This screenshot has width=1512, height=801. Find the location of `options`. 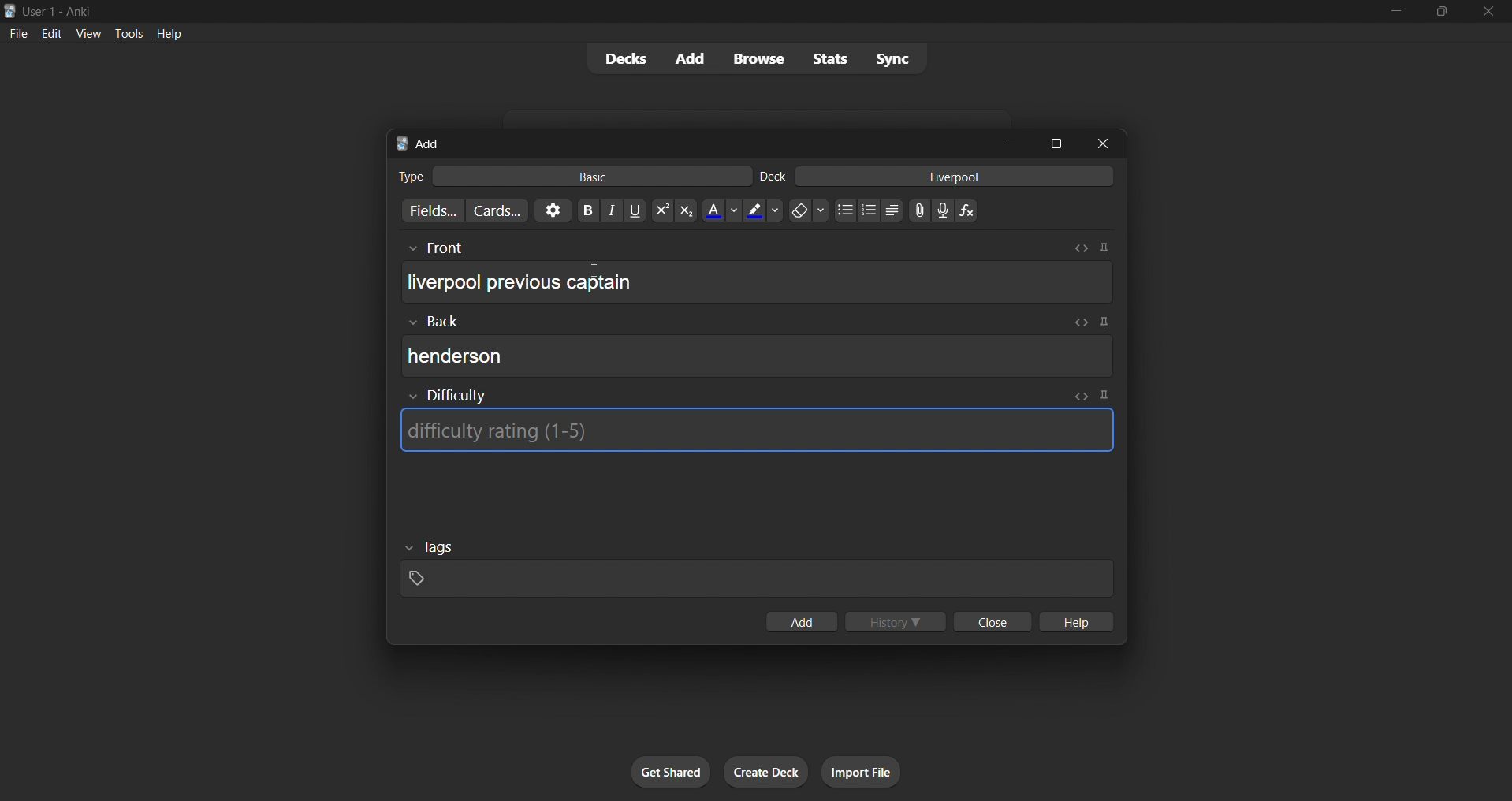

options is located at coordinates (550, 210).